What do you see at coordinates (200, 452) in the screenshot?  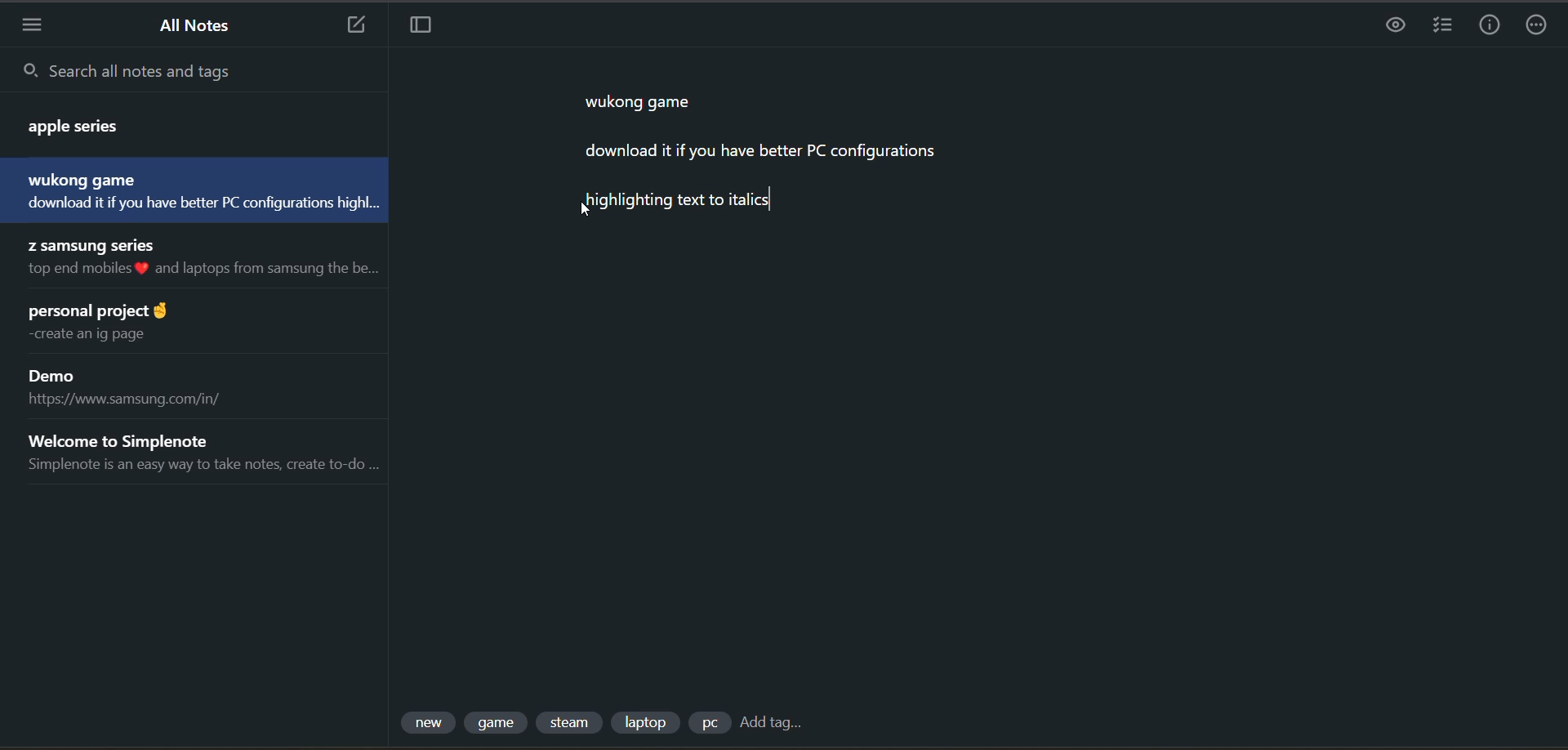 I see `note title and preview` at bounding box center [200, 452].